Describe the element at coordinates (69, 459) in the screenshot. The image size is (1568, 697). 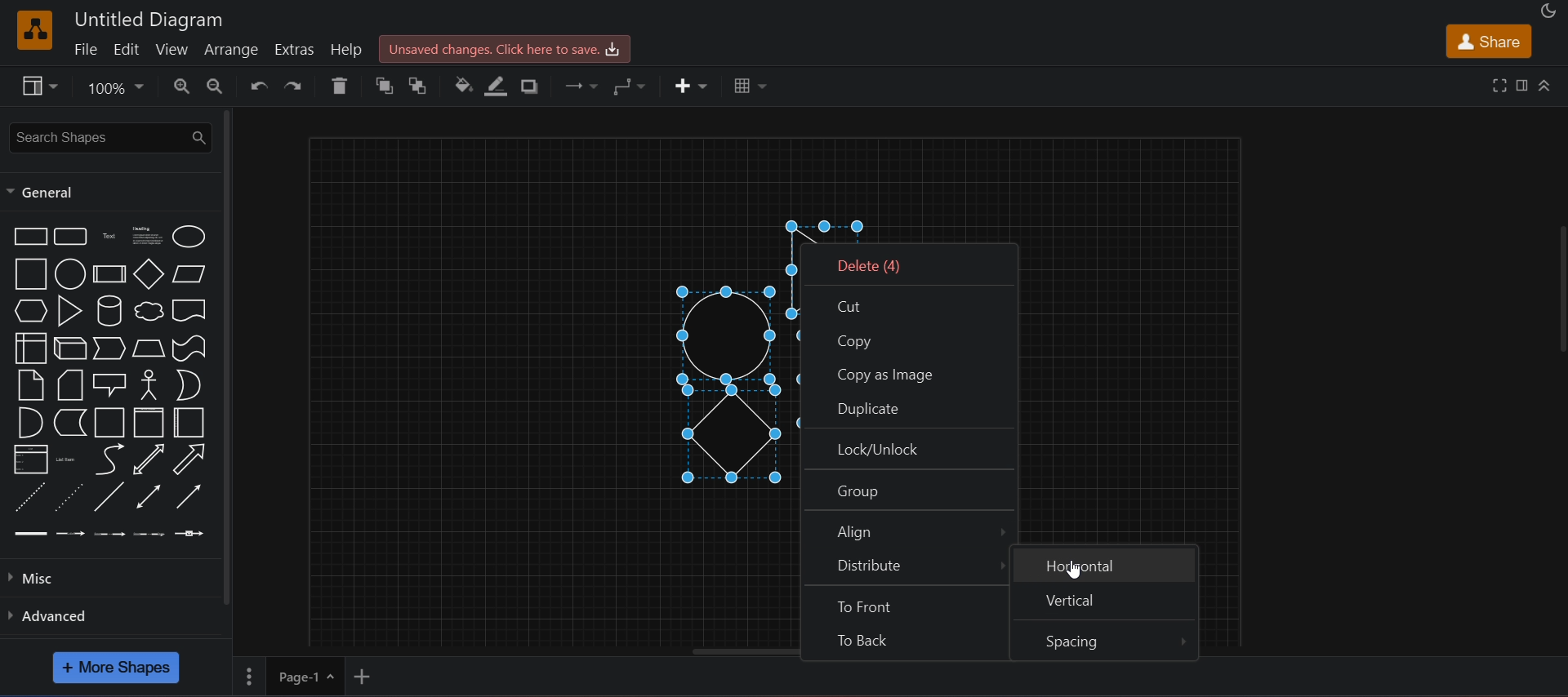
I see `list item` at that location.